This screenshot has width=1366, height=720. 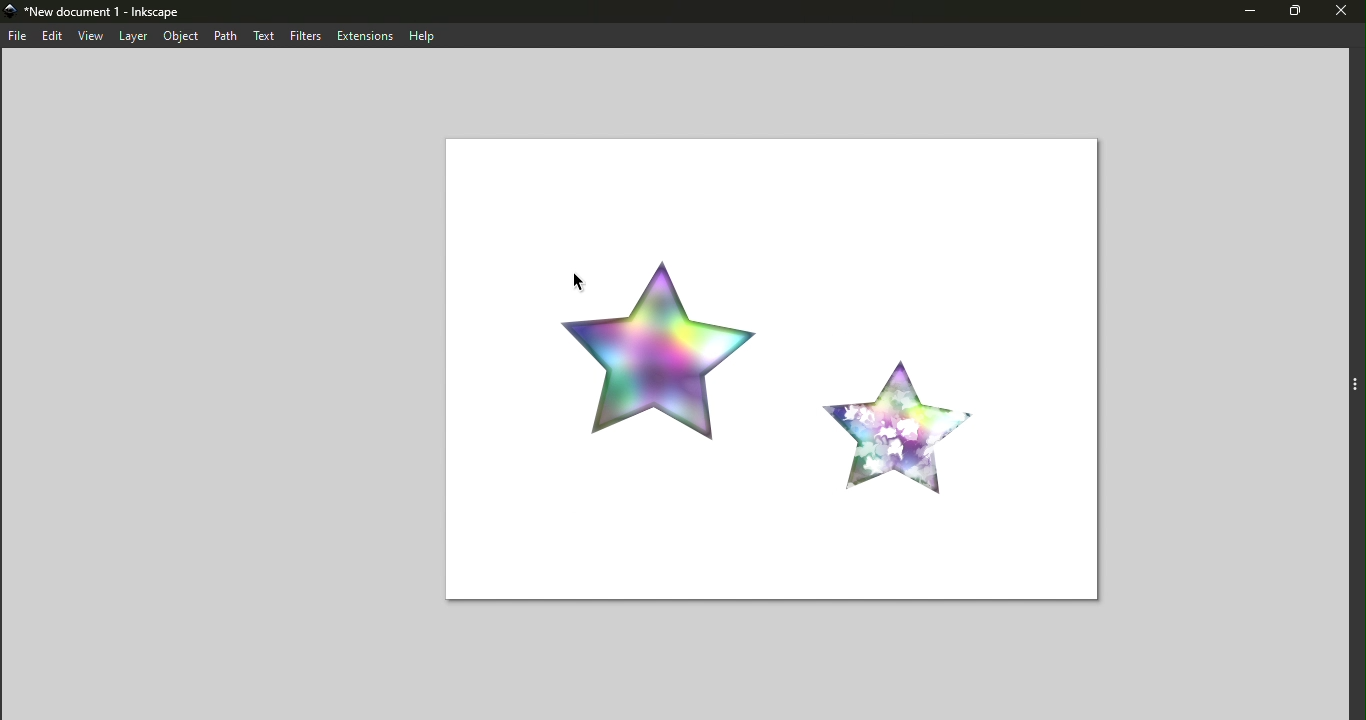 I want to click on file, so click(x=18, y=37).